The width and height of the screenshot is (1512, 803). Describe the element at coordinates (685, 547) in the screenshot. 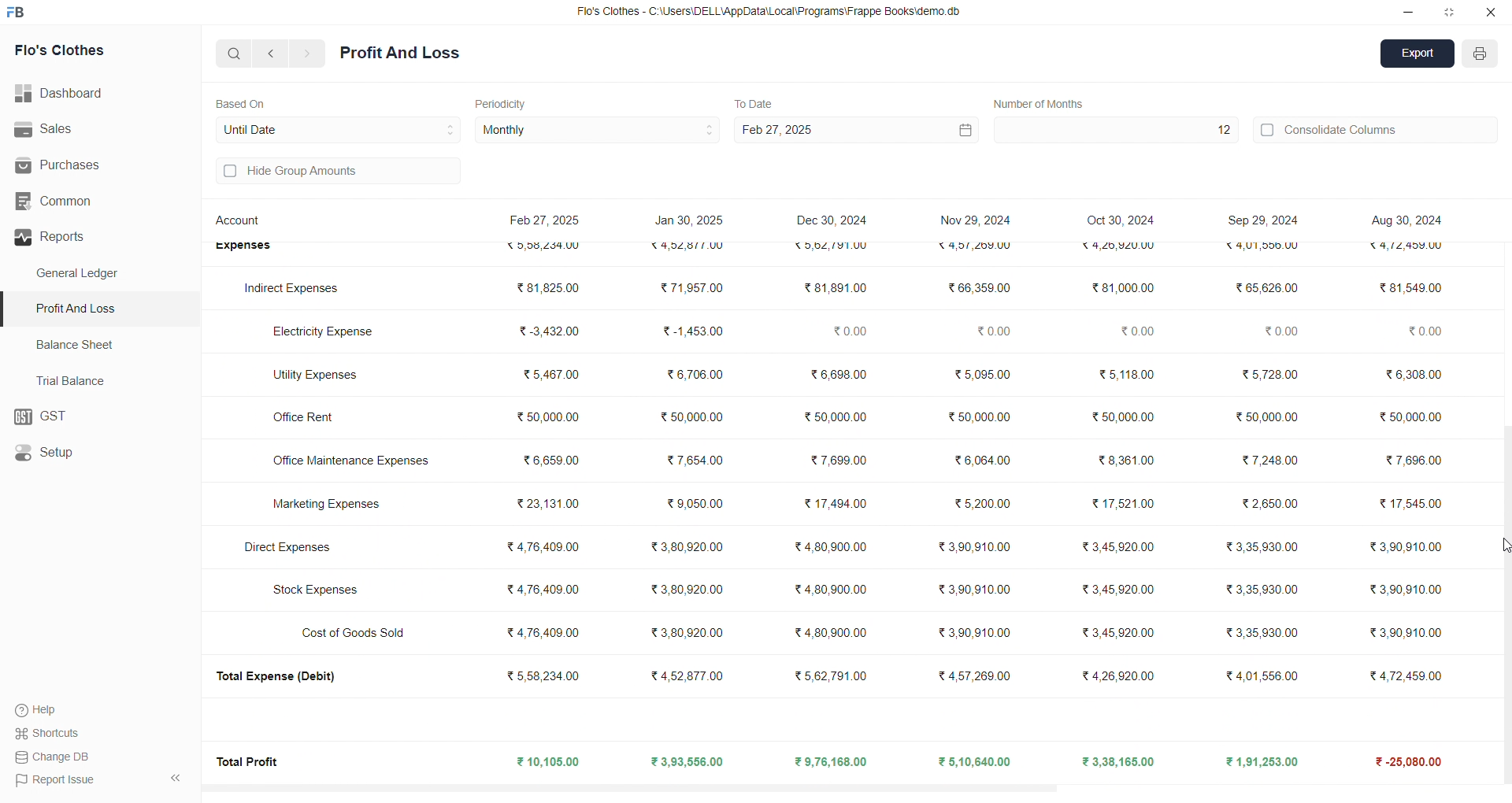

I see `₹3,80,920.00` at that location.